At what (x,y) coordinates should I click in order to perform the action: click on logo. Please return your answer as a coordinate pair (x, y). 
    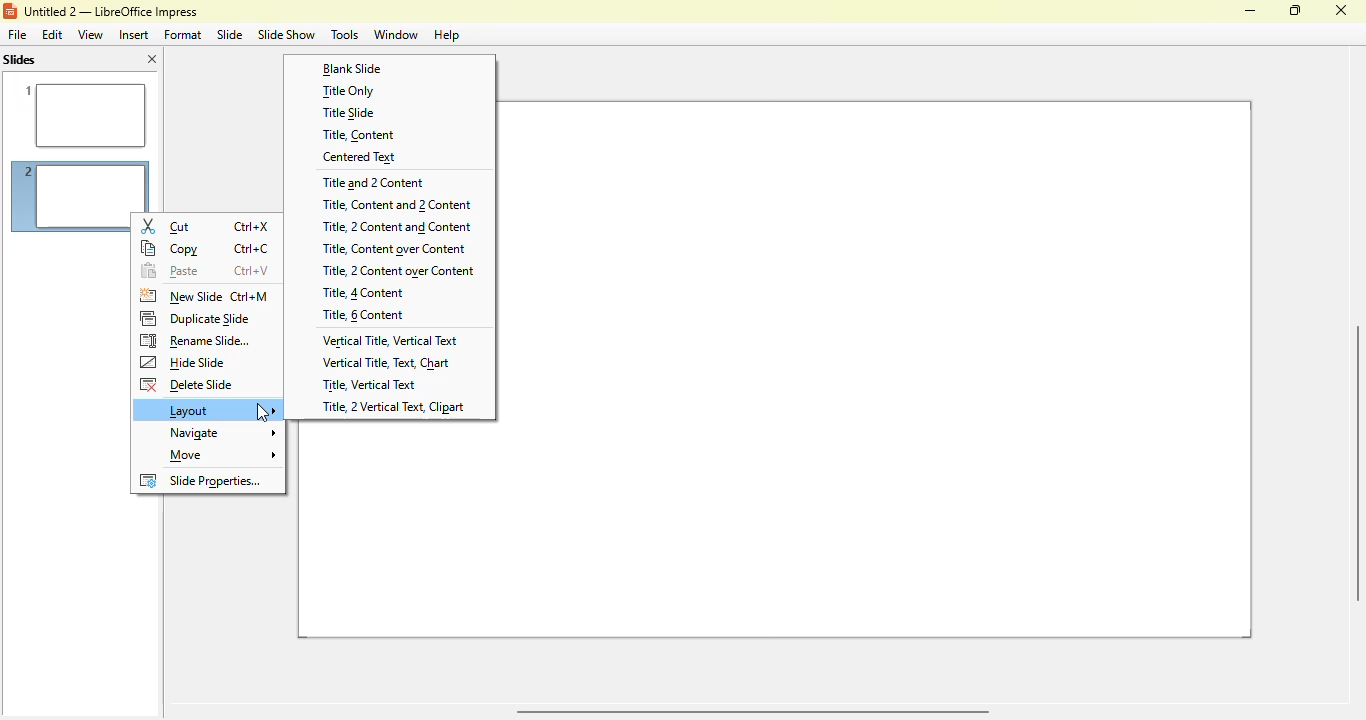
    Looking at the image, I should click on (10, 11).